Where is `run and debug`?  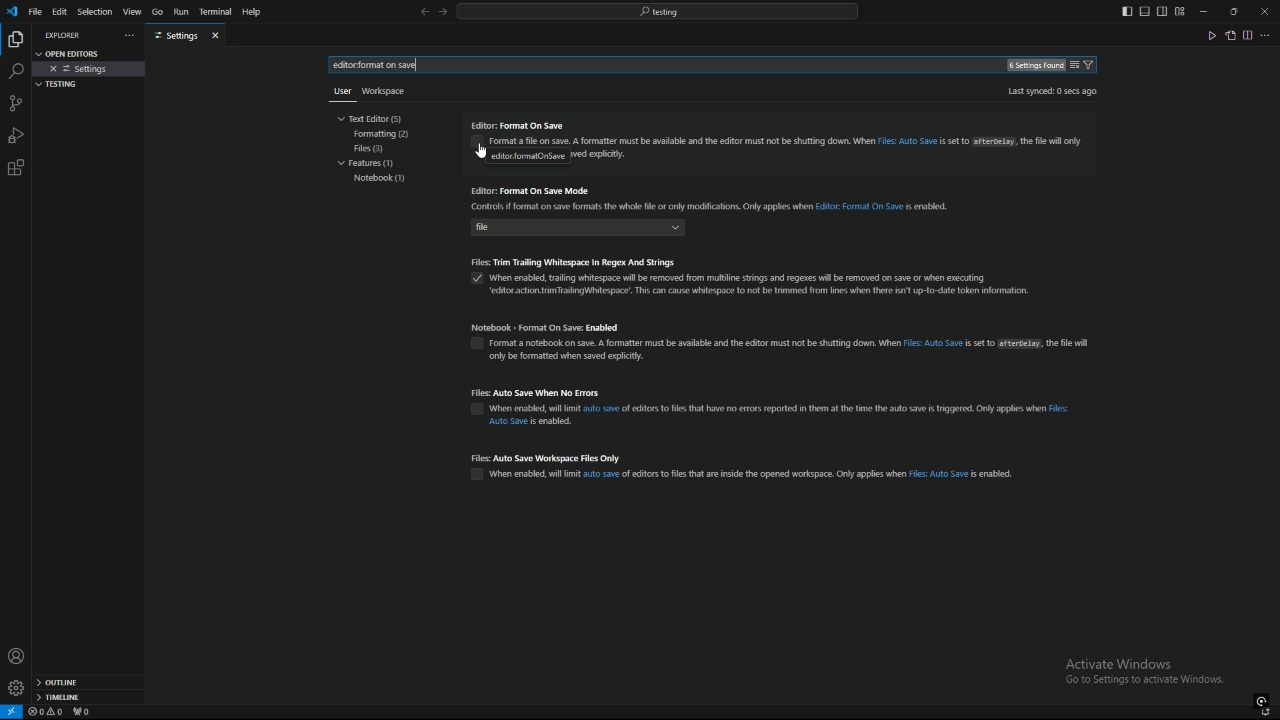
run and debug is located at coordinates (16, 135).